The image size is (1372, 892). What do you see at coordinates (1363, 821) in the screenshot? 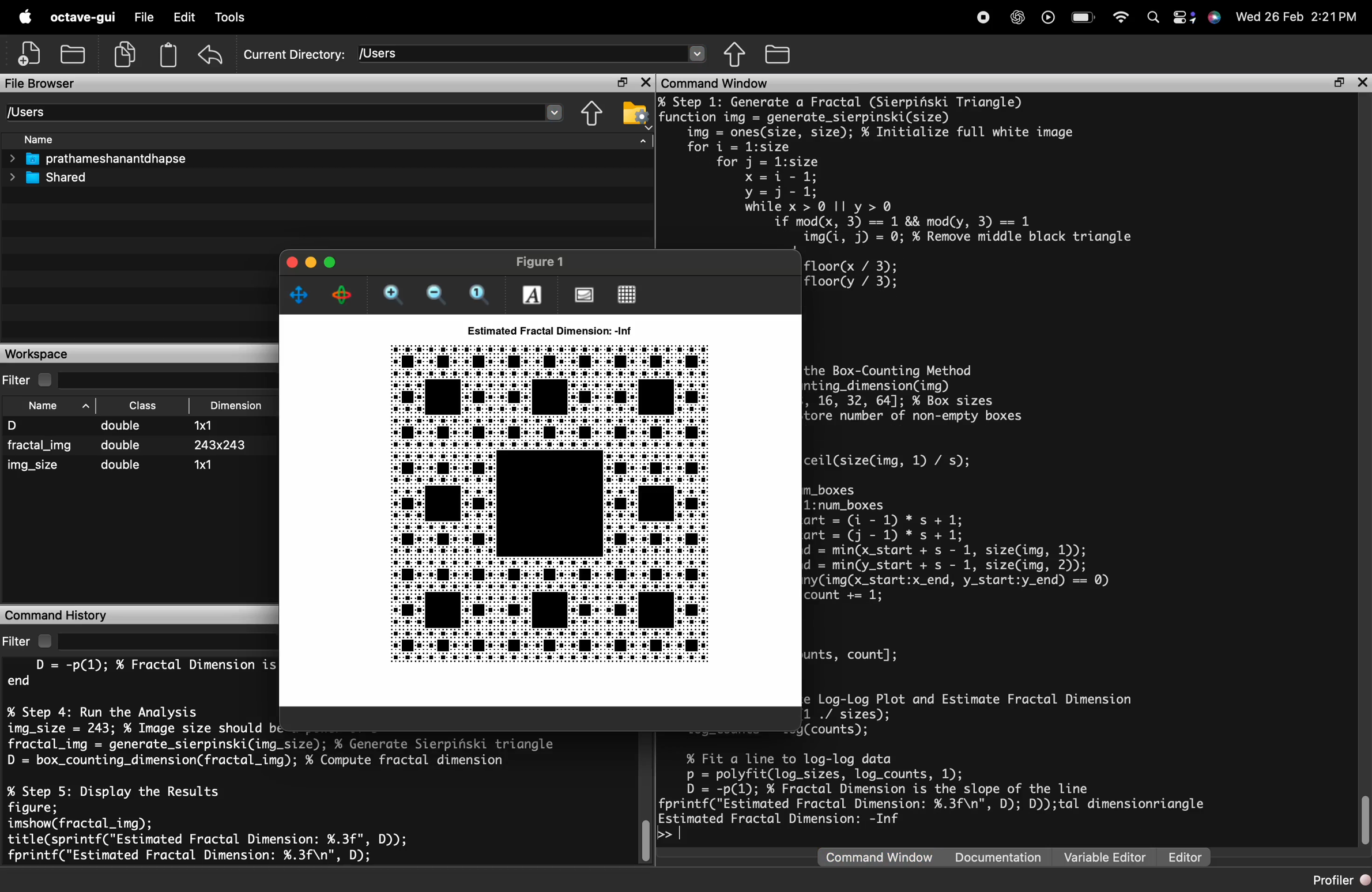
I see `scroll bar` at bounding box center [1363, 821].